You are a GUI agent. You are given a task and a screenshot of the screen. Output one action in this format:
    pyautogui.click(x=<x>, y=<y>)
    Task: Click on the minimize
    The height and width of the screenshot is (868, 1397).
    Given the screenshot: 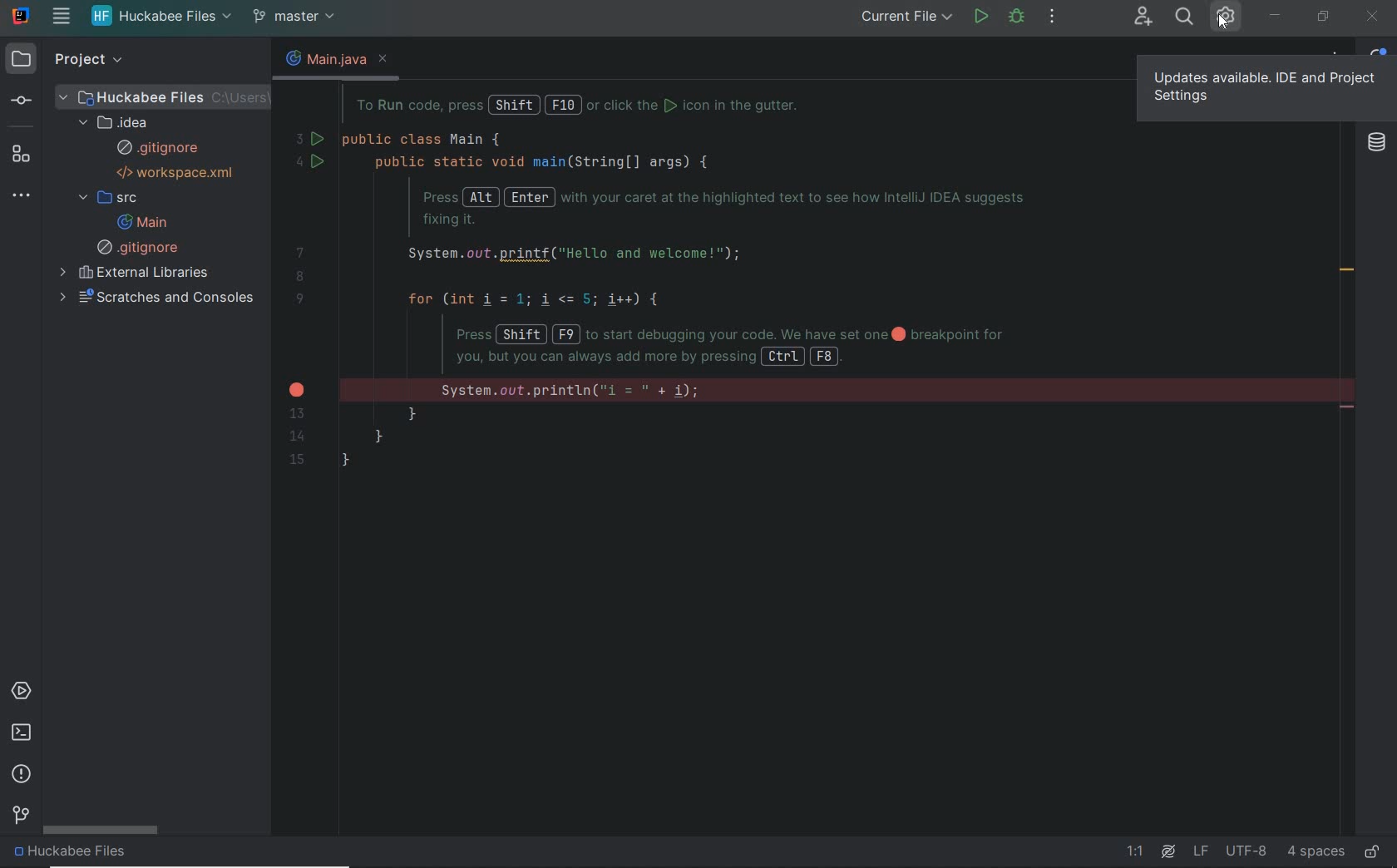 What is the action you would take?
    pyautogui.click(x=1276, y=12)
    